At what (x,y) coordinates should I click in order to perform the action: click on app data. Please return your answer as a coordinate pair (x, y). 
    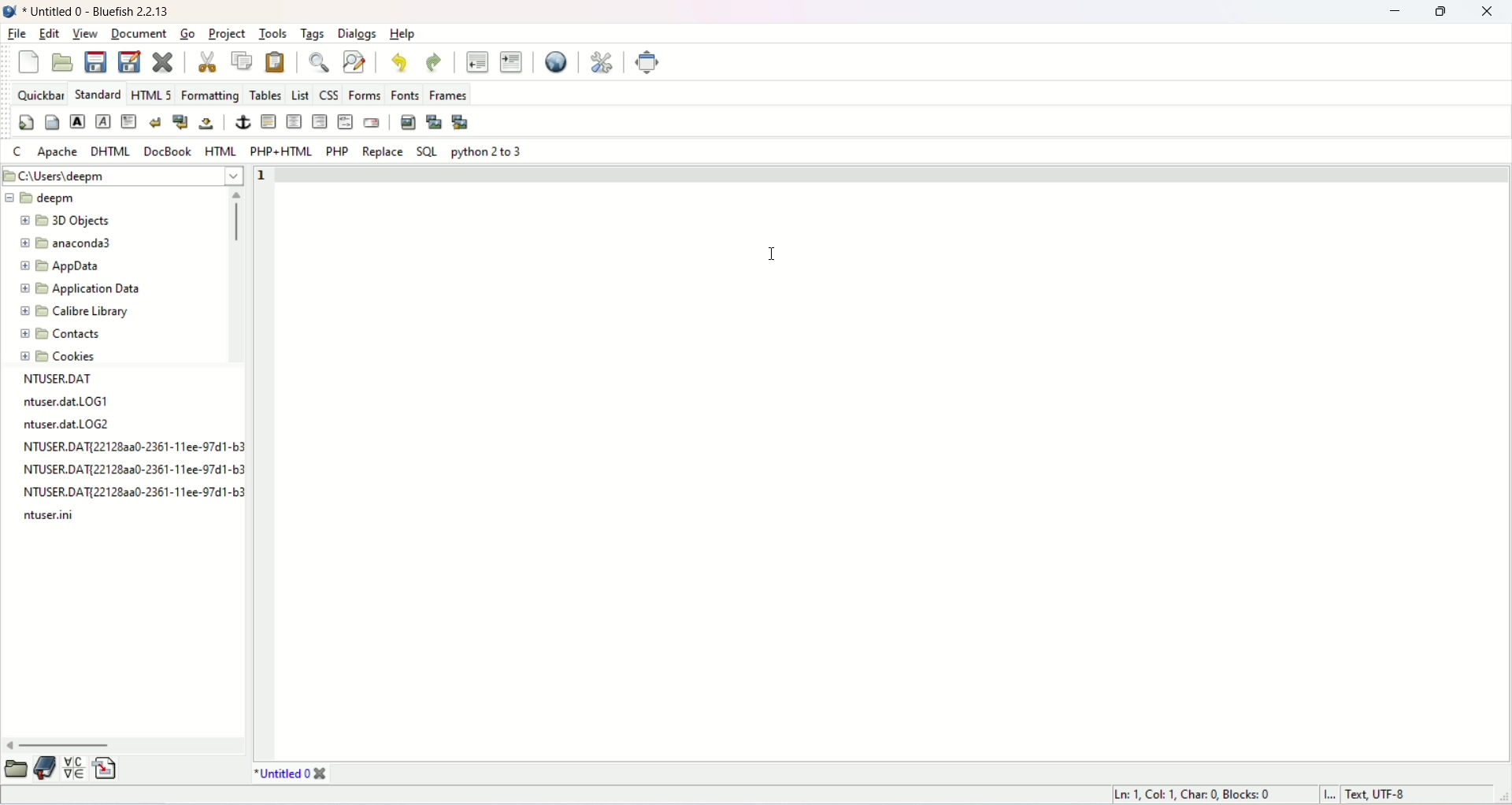
    Looking at the image, I should click on (60, 266).